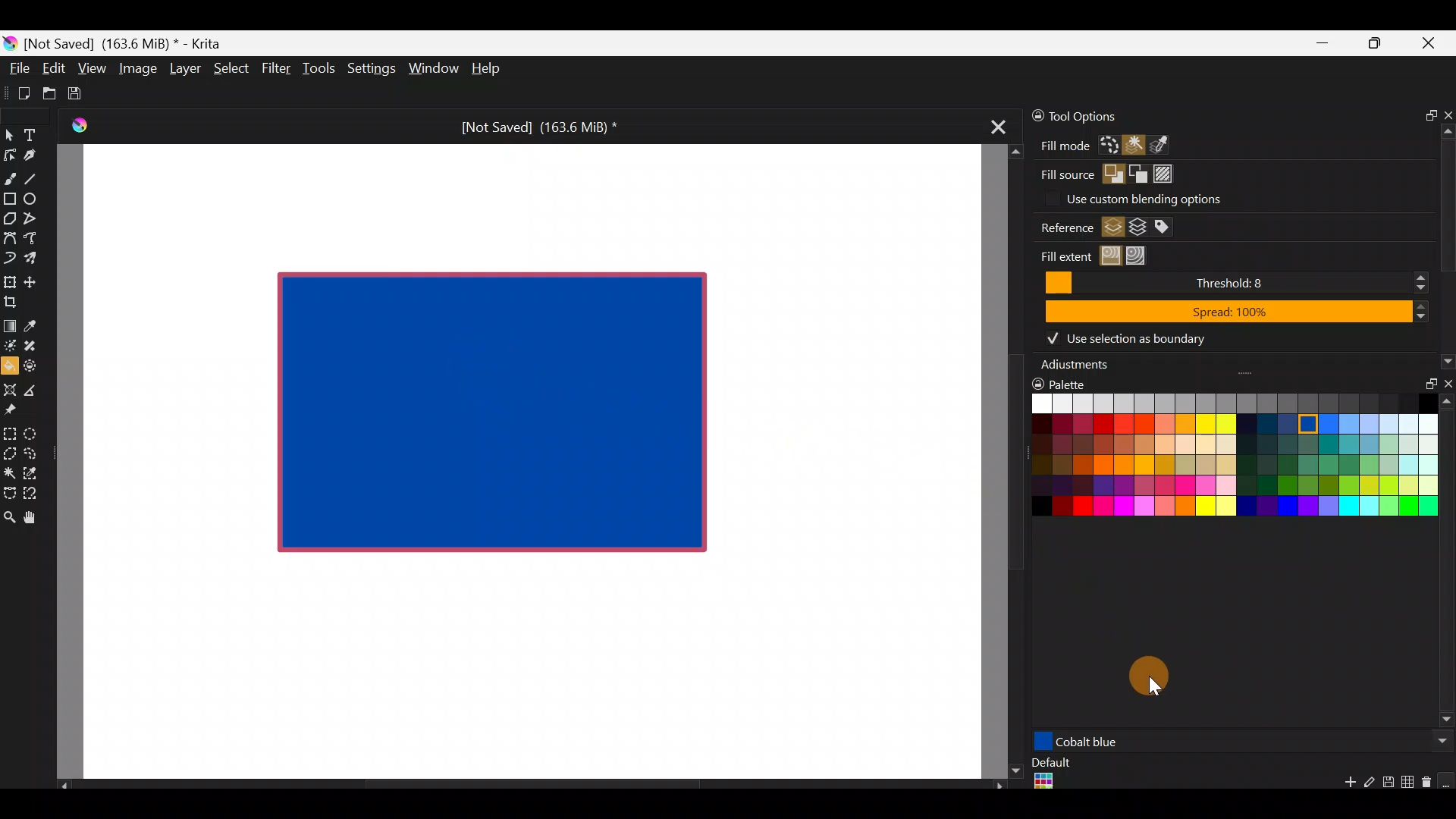  I want to click on Create new document, so click(18, 92).